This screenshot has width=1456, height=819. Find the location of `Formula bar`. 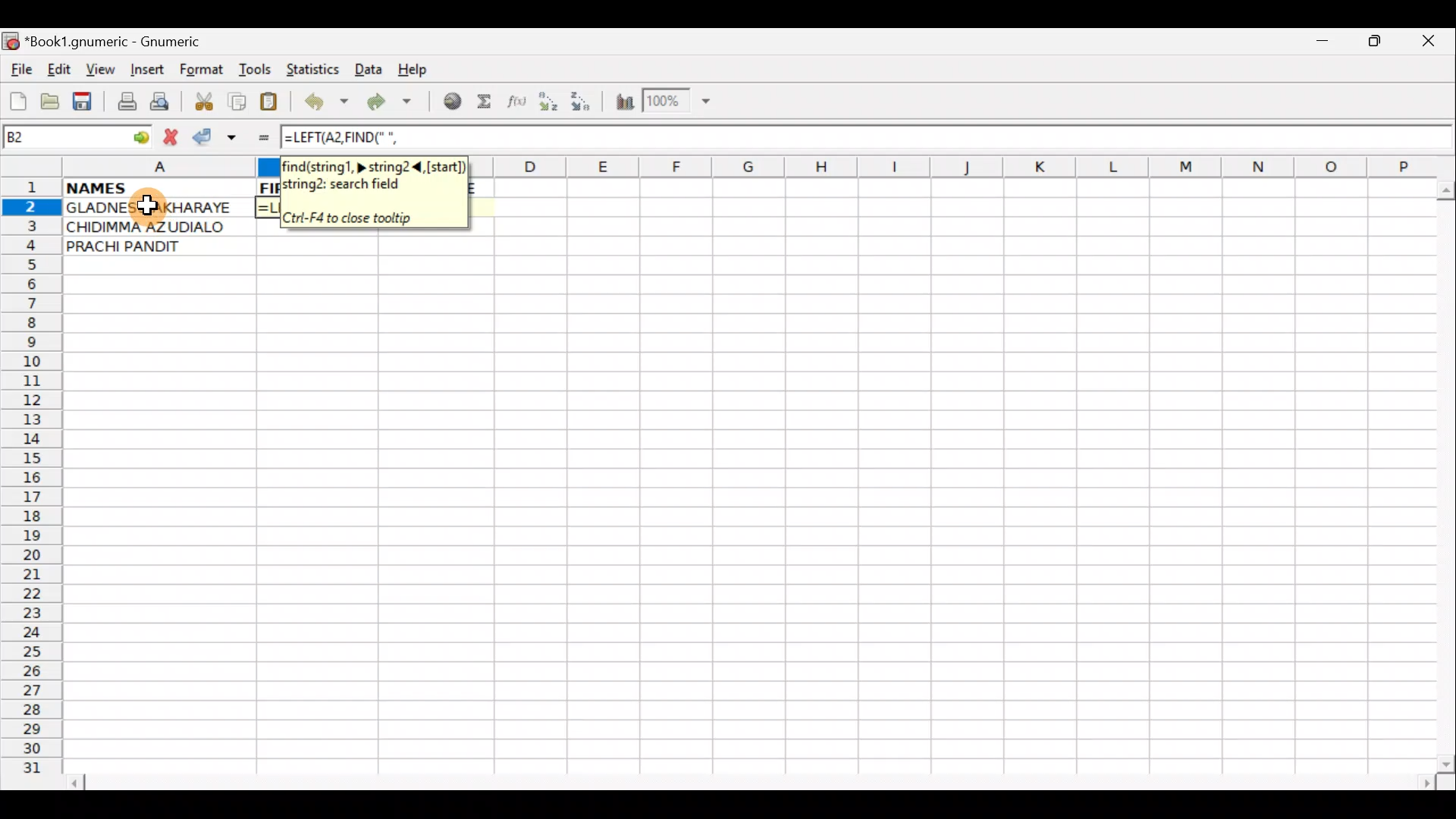

Formula bar is located at coordinates (946, 138).